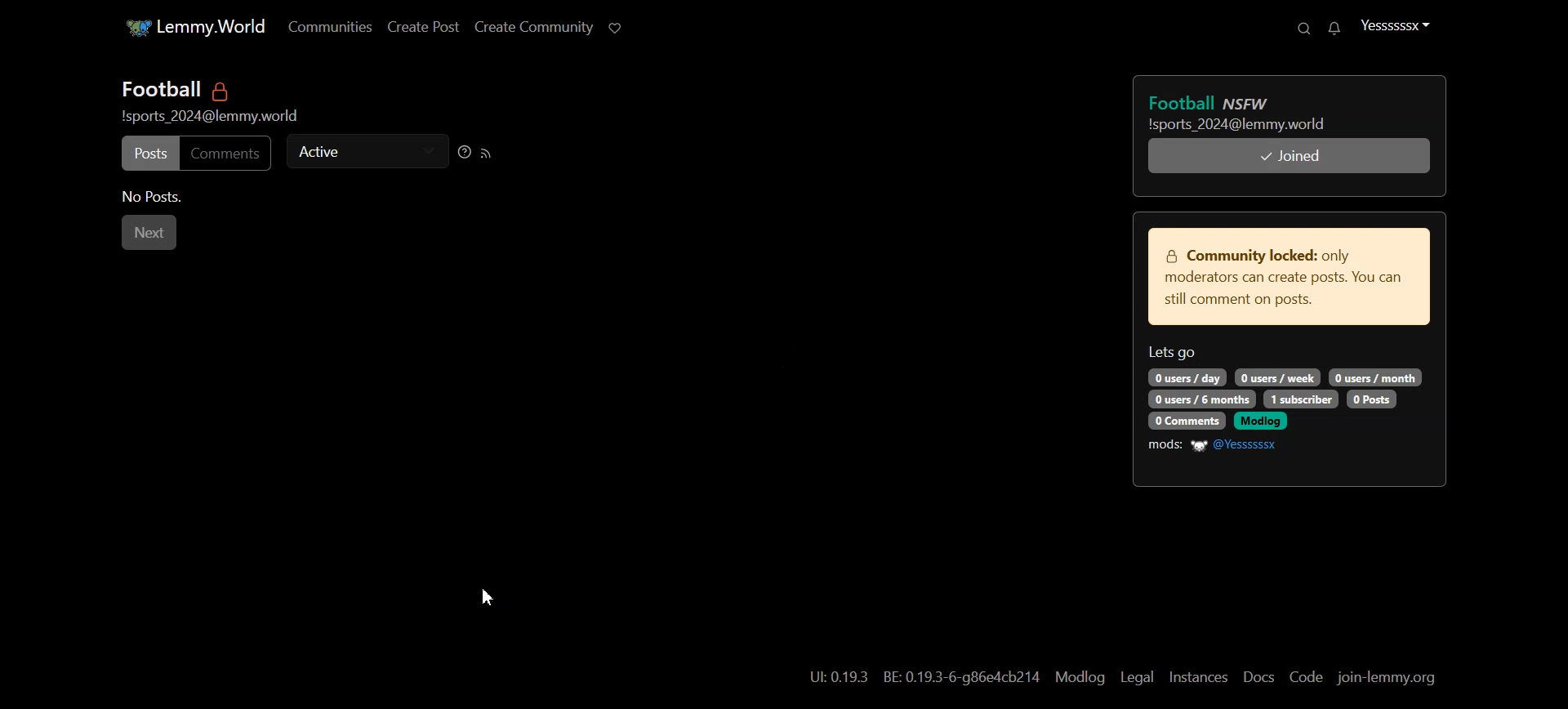  Describe the element at coordinates (1290, 278) in the screenshot. I see `Text` at that location.